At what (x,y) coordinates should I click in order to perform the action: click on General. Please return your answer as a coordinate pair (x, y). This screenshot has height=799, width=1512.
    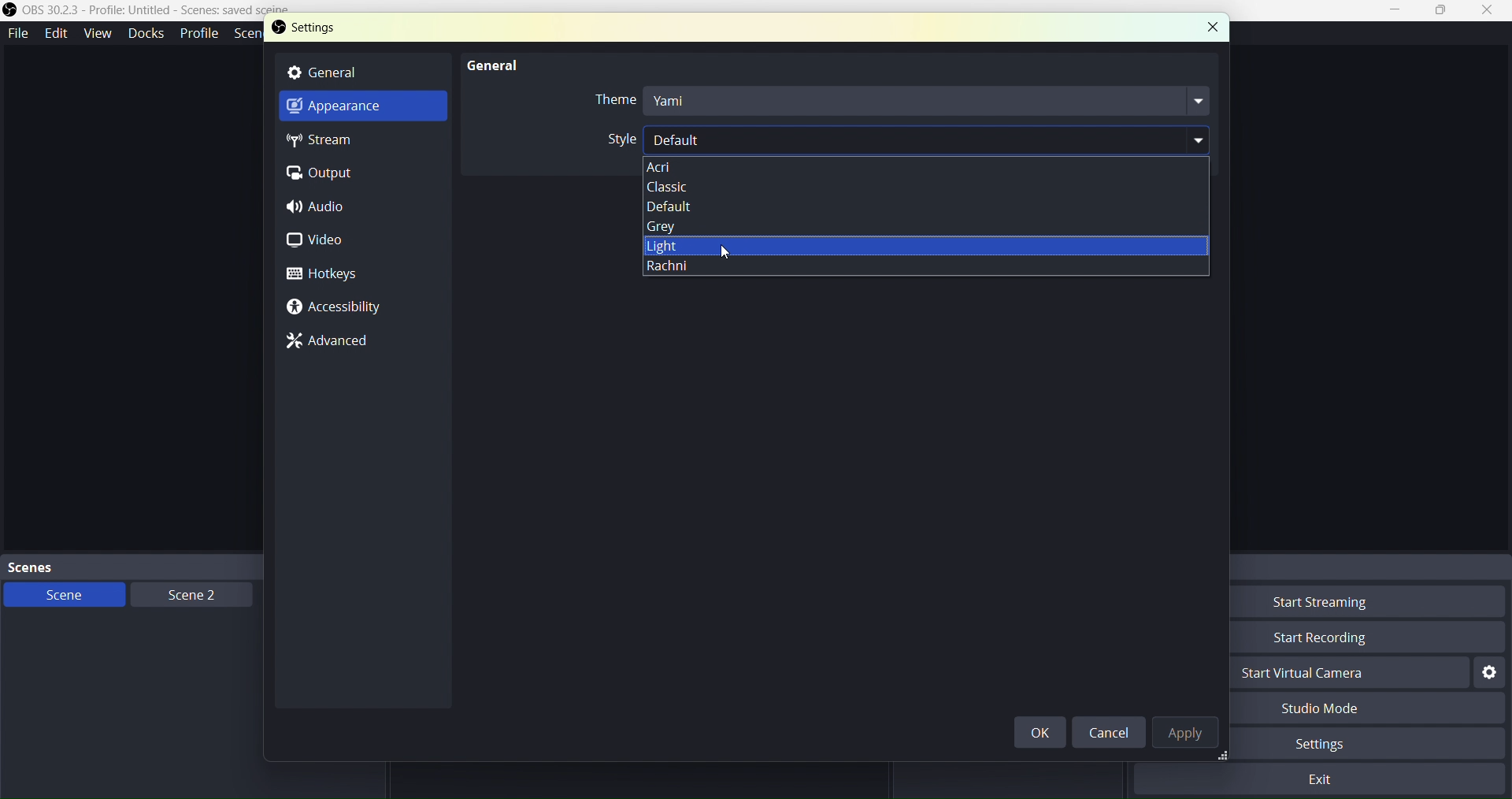
    Looking at the image, I should click on (356, 72).